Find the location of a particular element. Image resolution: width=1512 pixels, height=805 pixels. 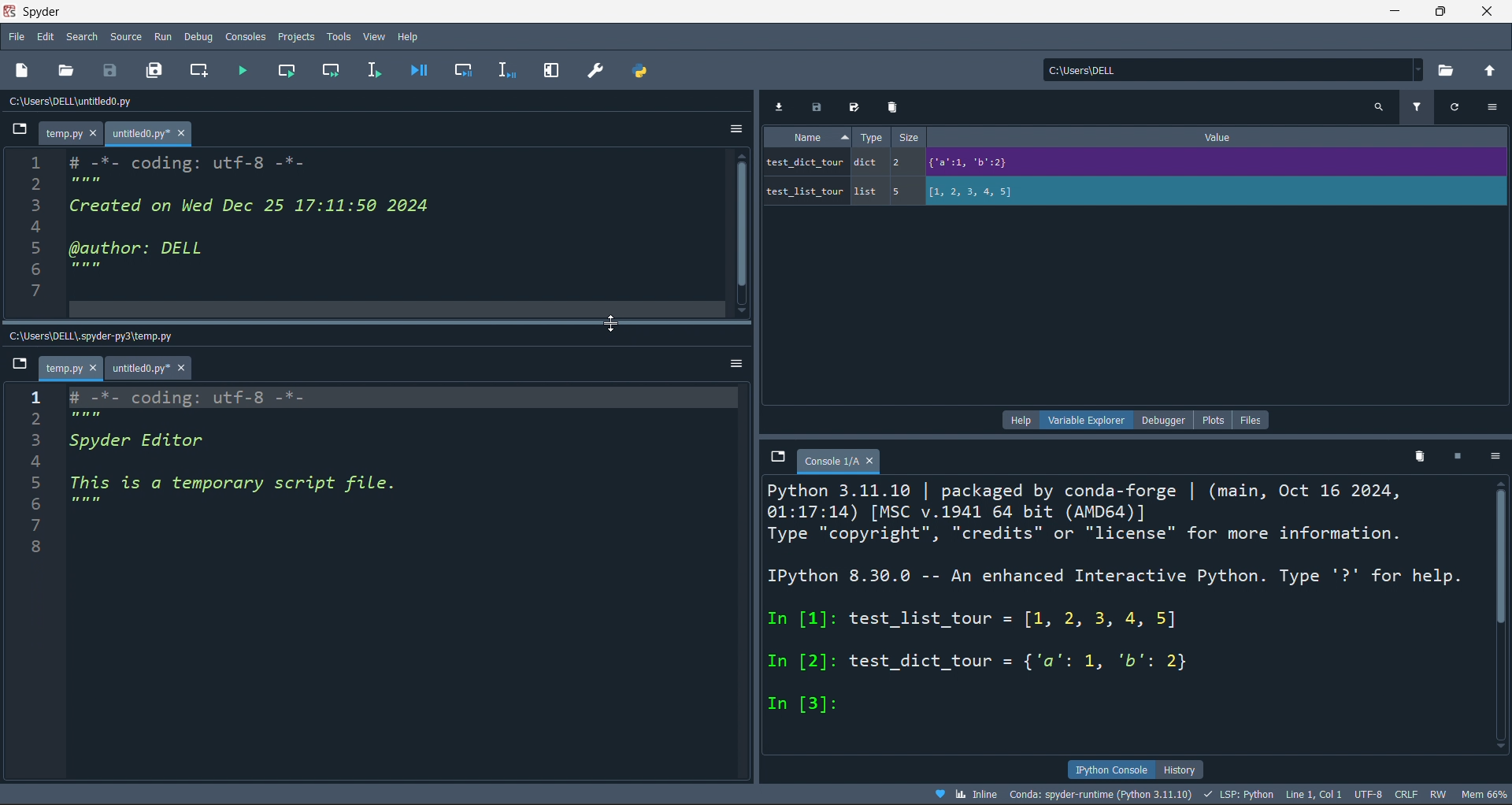

7 is located at coordinates (63, 522).